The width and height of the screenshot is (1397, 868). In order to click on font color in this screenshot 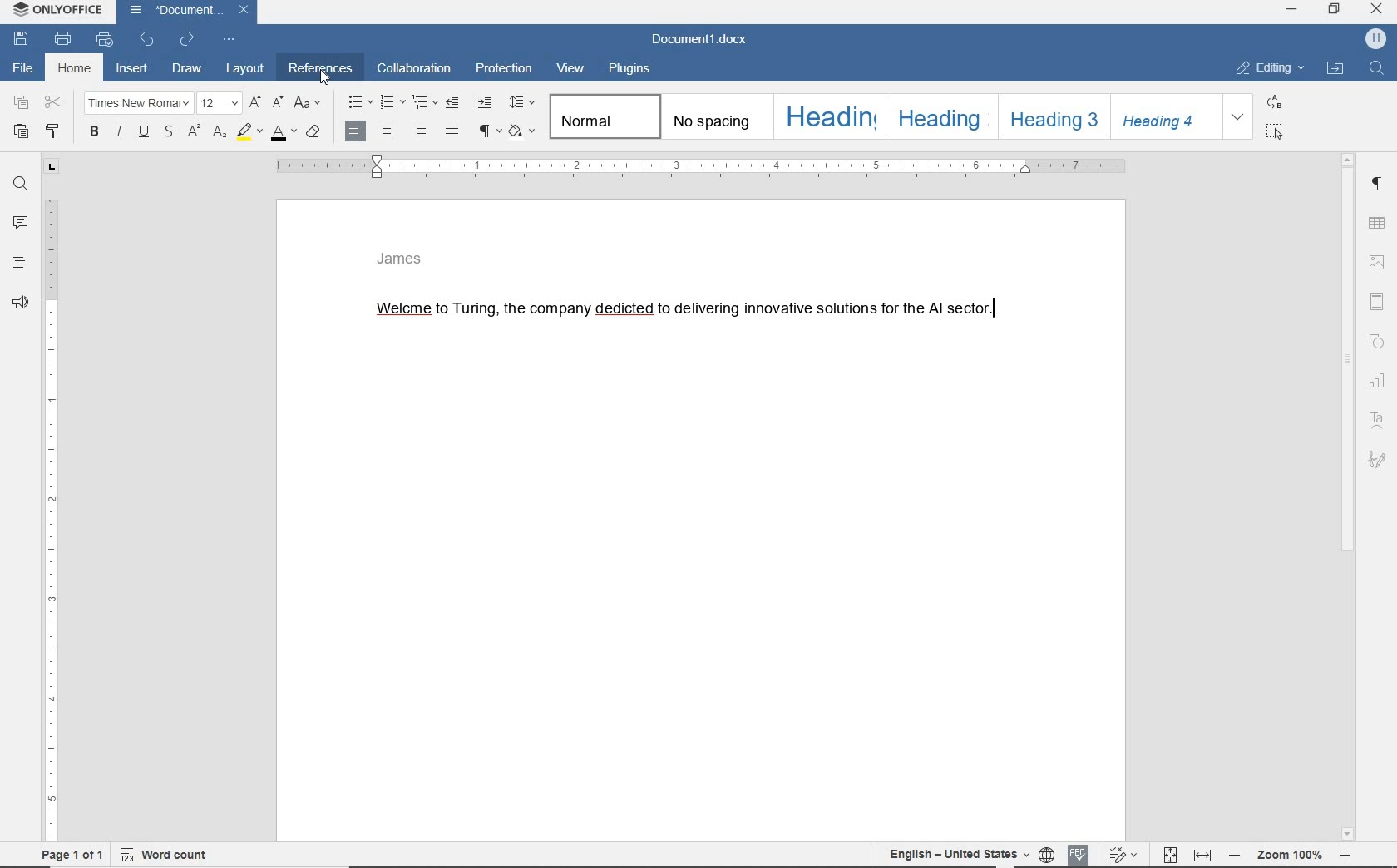, I will do `click(281, 135)`.